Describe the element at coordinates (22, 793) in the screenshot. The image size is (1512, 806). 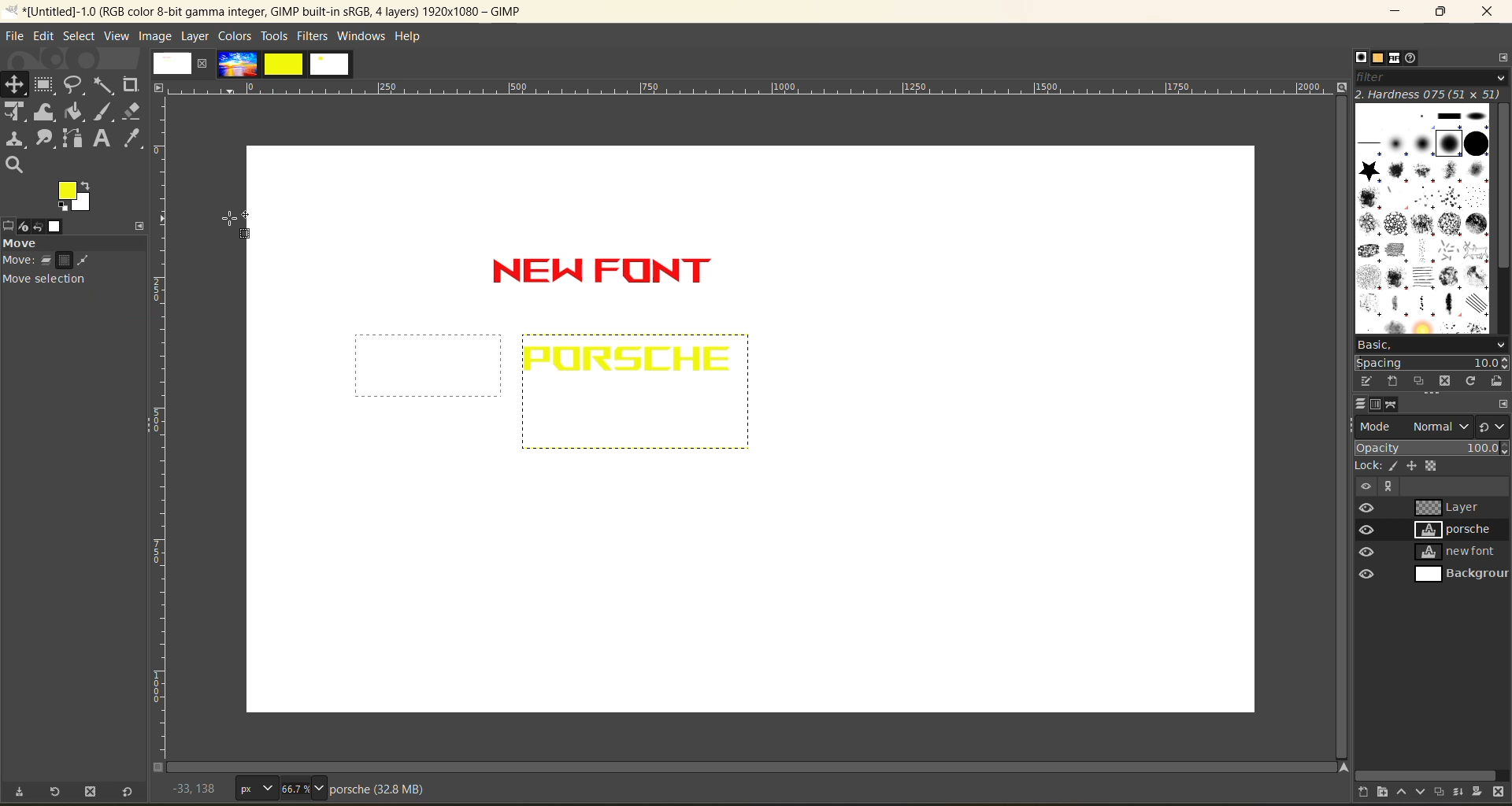
I see `save tool preset` at that location.